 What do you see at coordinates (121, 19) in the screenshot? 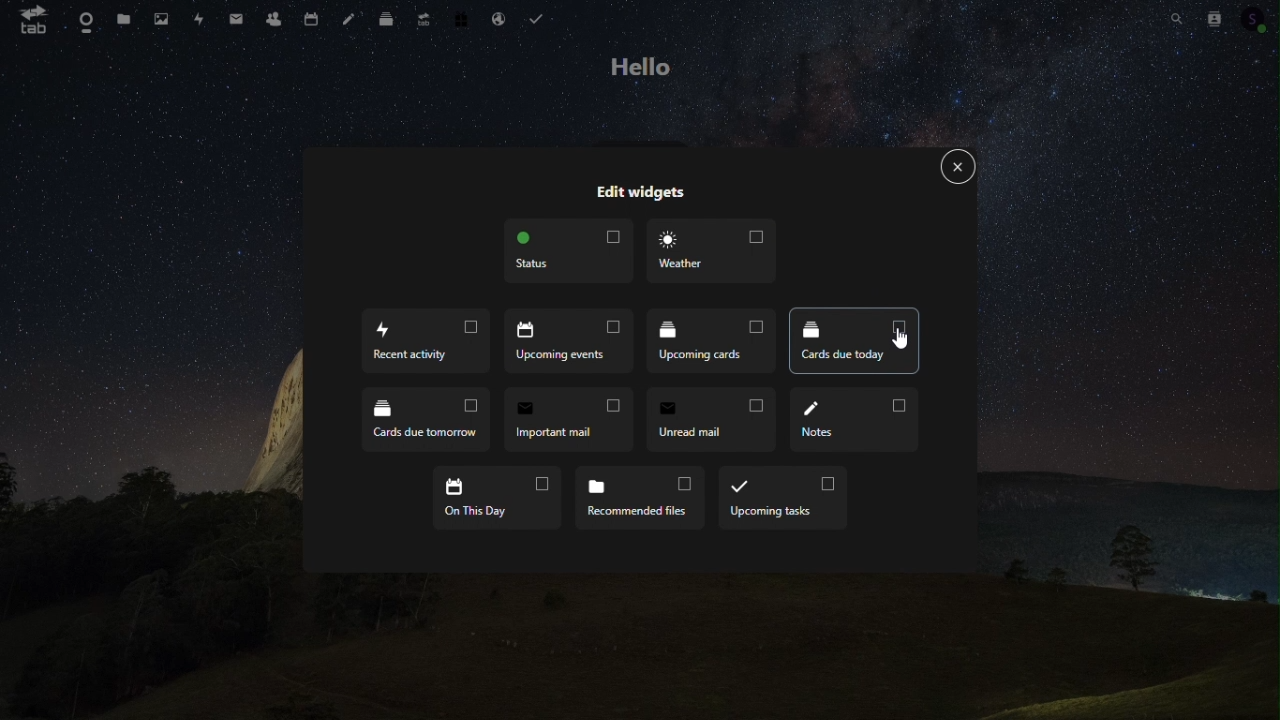
I see `files` at bounding box center [121, 19].